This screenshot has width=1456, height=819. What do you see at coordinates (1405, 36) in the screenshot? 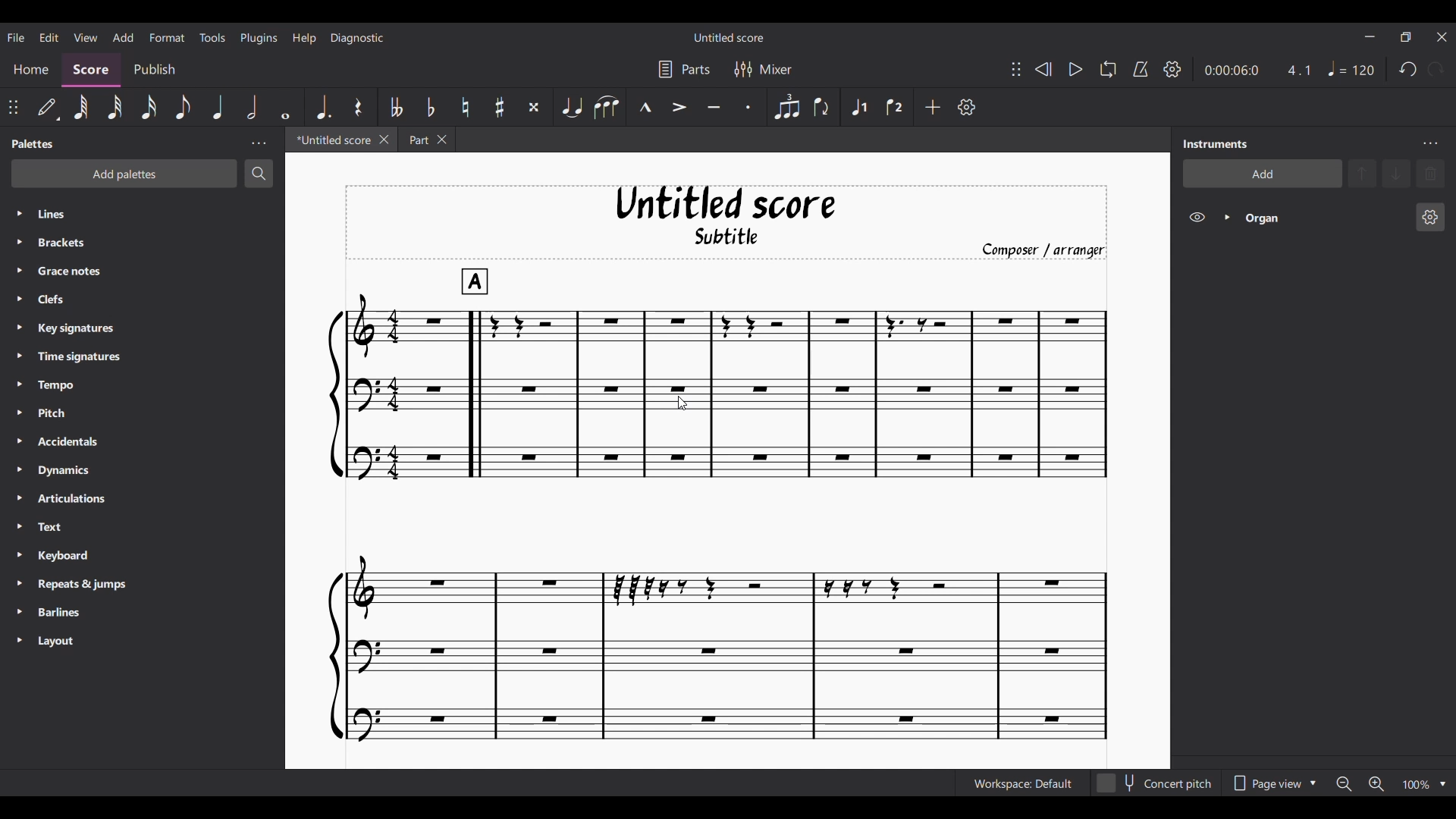
I see `Show interface in a smaller tab` at bounding box center [1405, 36].